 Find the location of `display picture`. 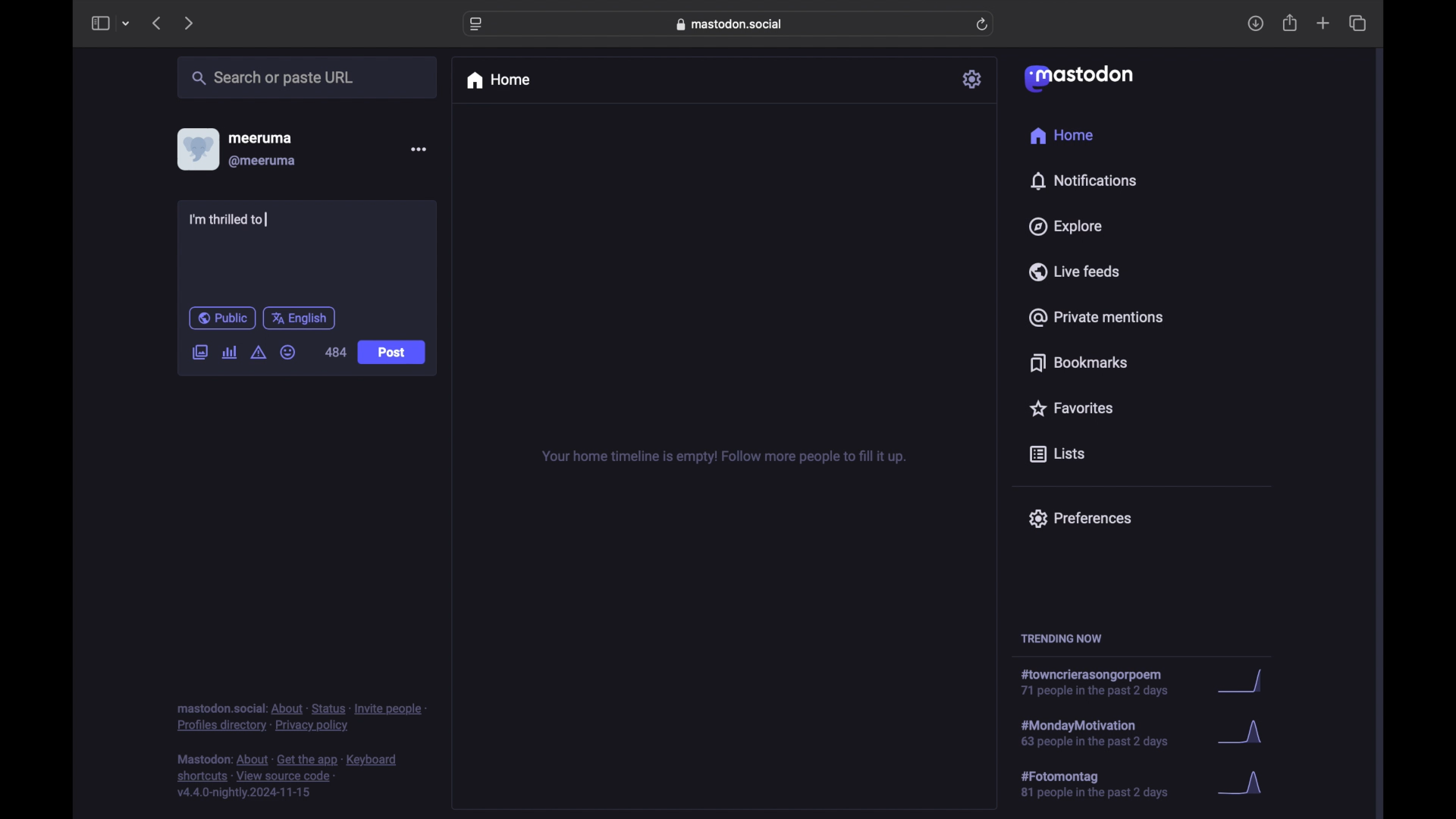

display picture is located at coordinates (196, 149).